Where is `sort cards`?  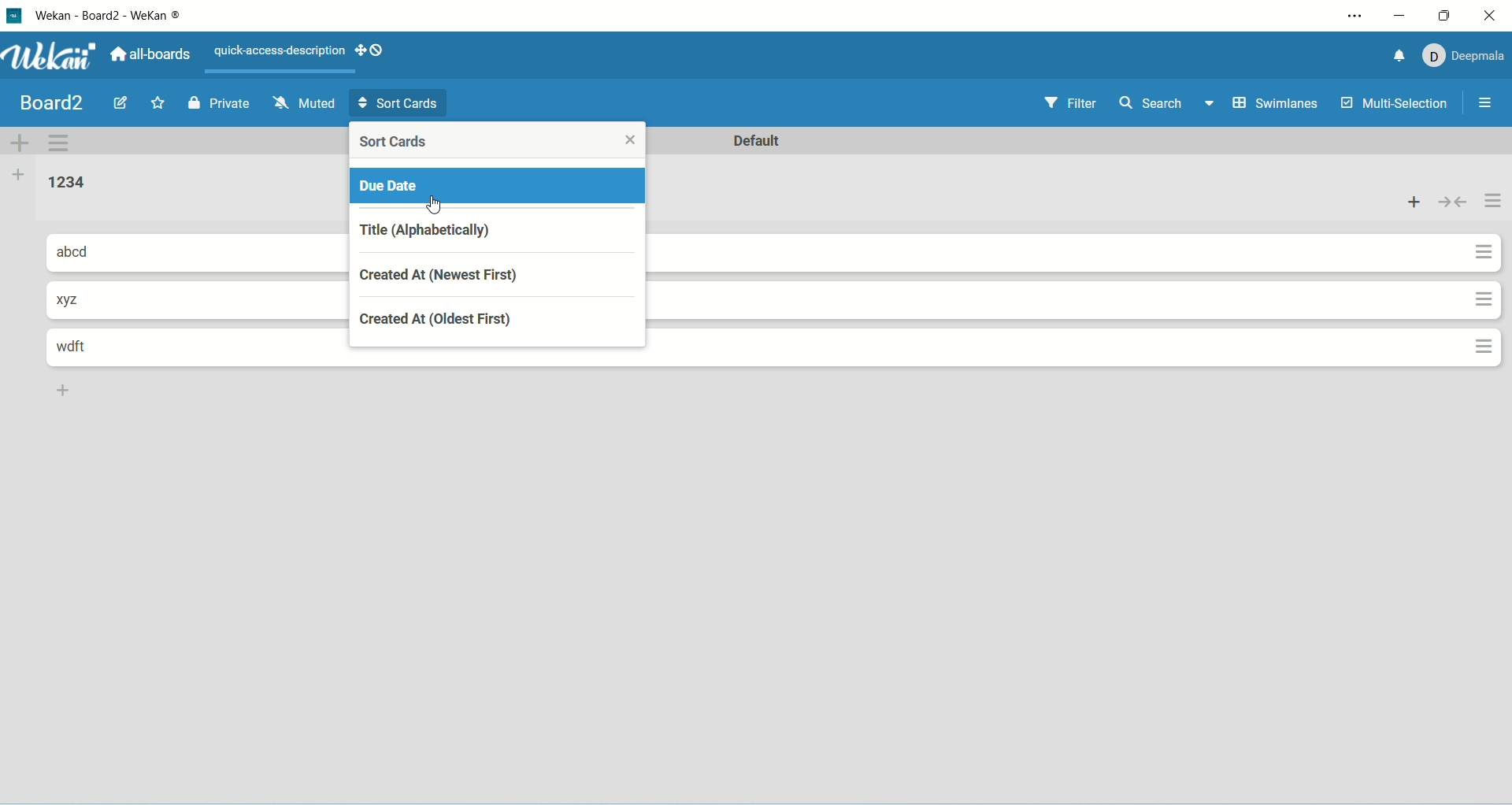 sort cards is located at coordinates (398, 104).